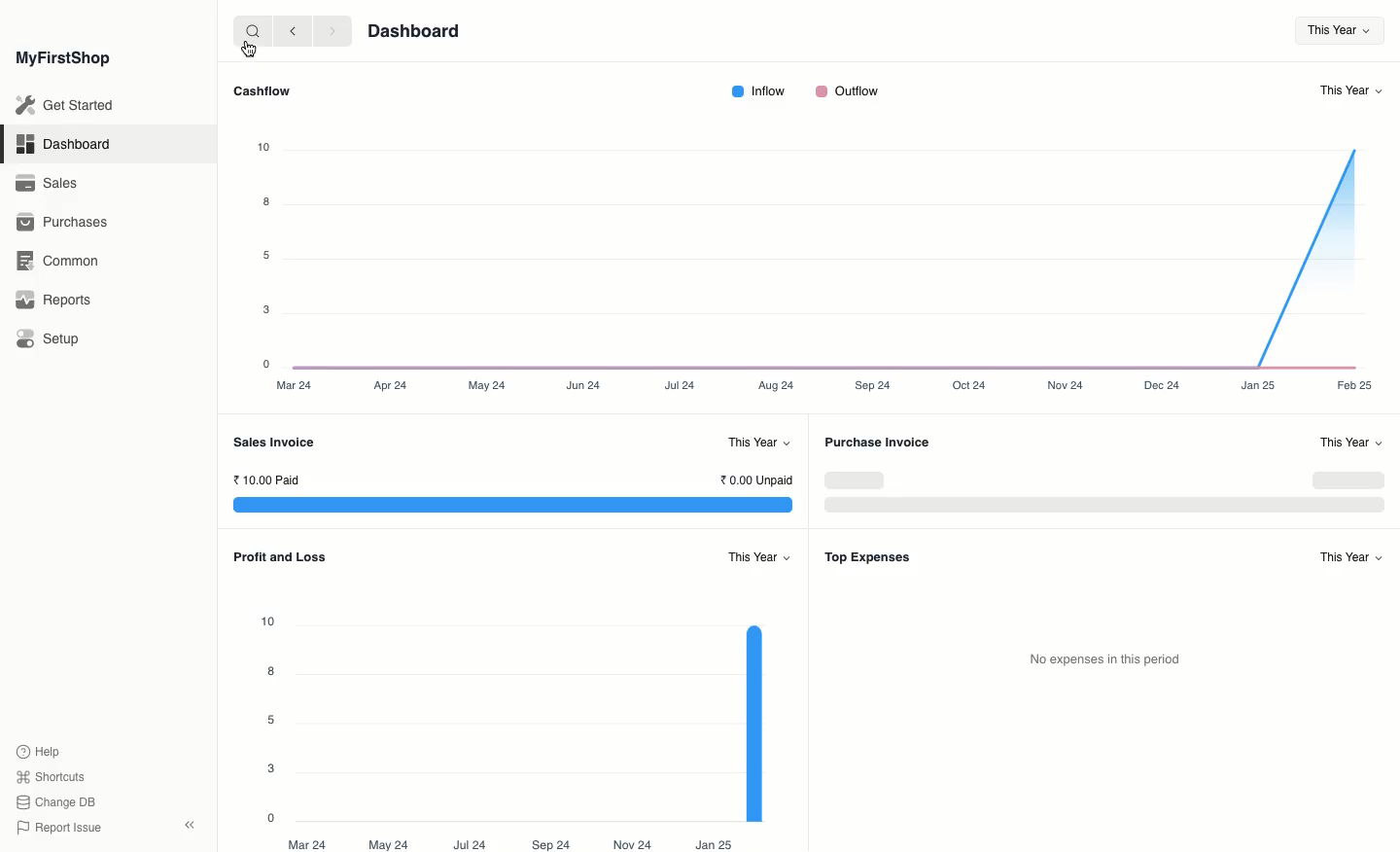 This screenshot has width=1400, height=852. What do you see at coordinates (268, 309) in the screenshot?
I see `3` at bounding box center [268, 309].